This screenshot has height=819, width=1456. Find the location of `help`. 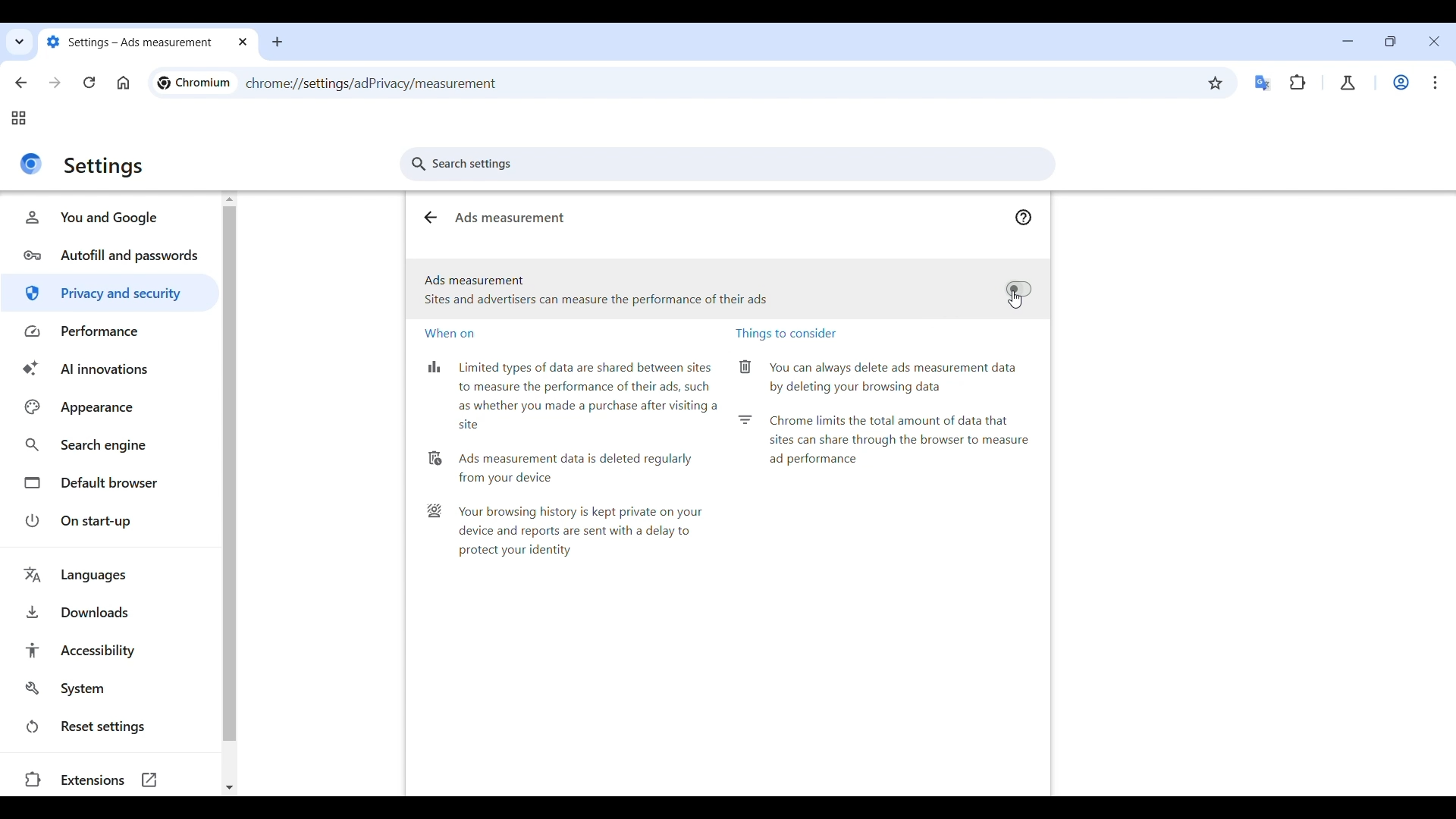

help is located at coordinates (1022, 216).